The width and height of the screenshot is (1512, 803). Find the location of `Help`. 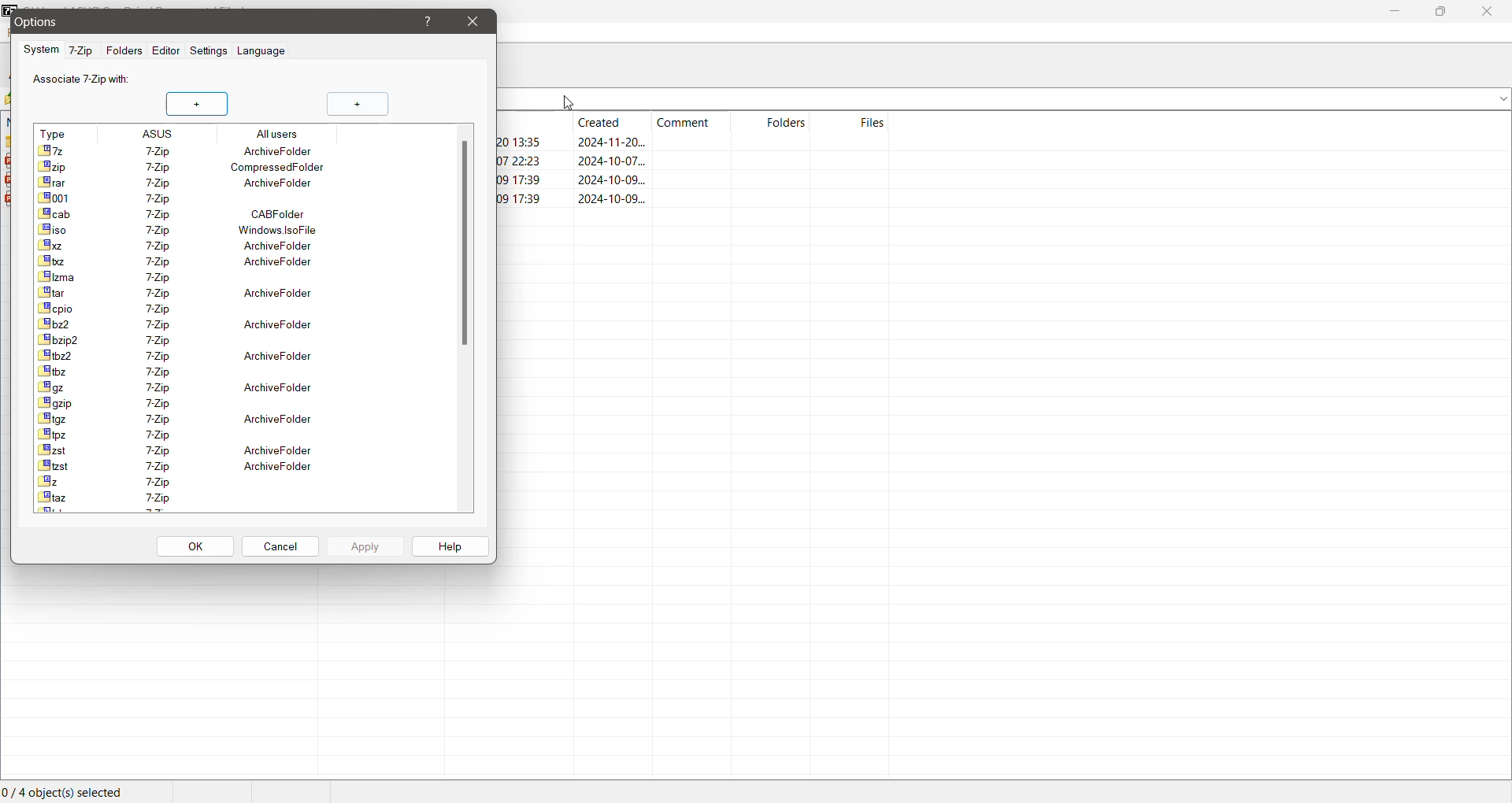

Help is located at coordinates (447, 546).